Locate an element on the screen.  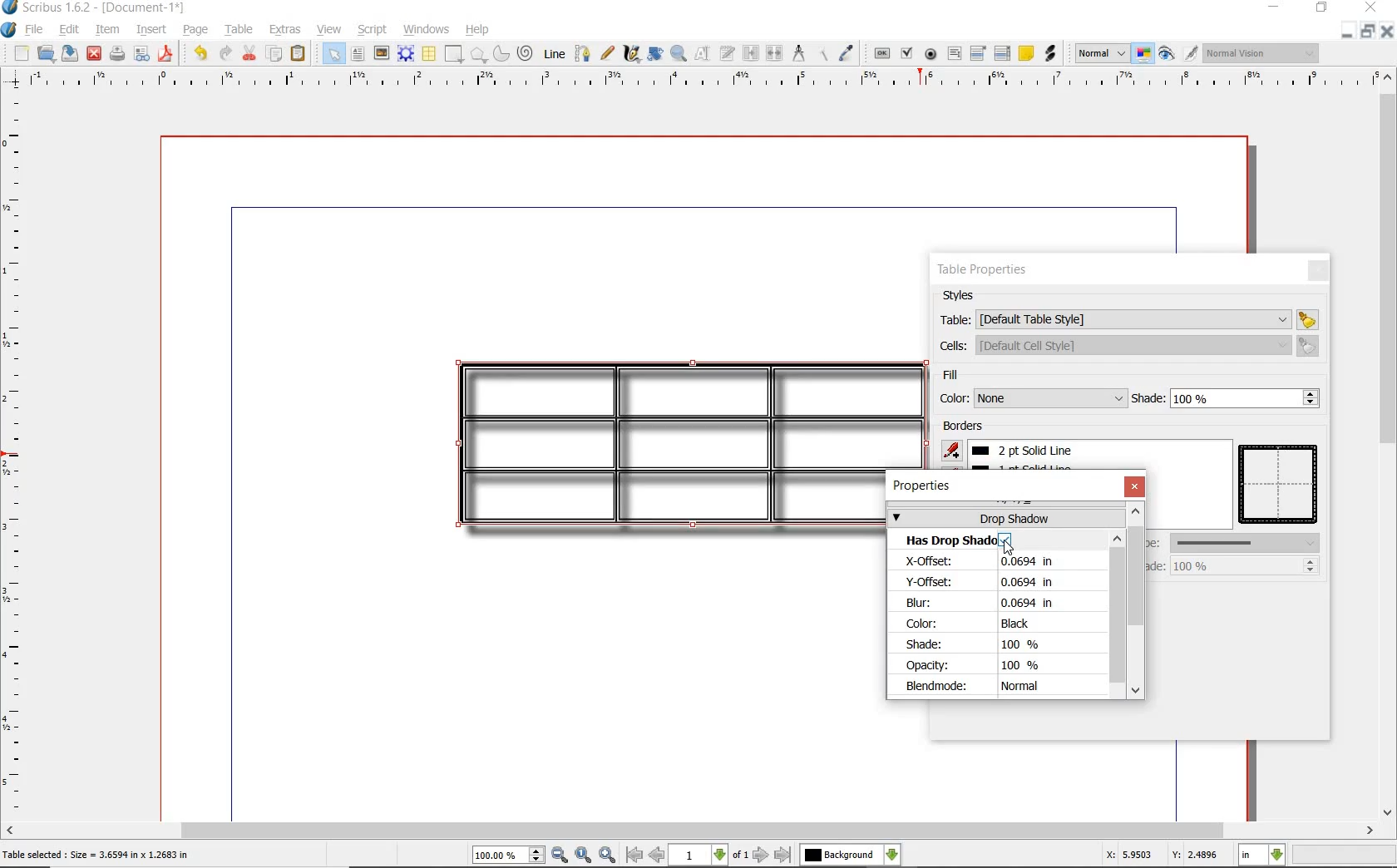
edit is located at coordinates (67, 29).